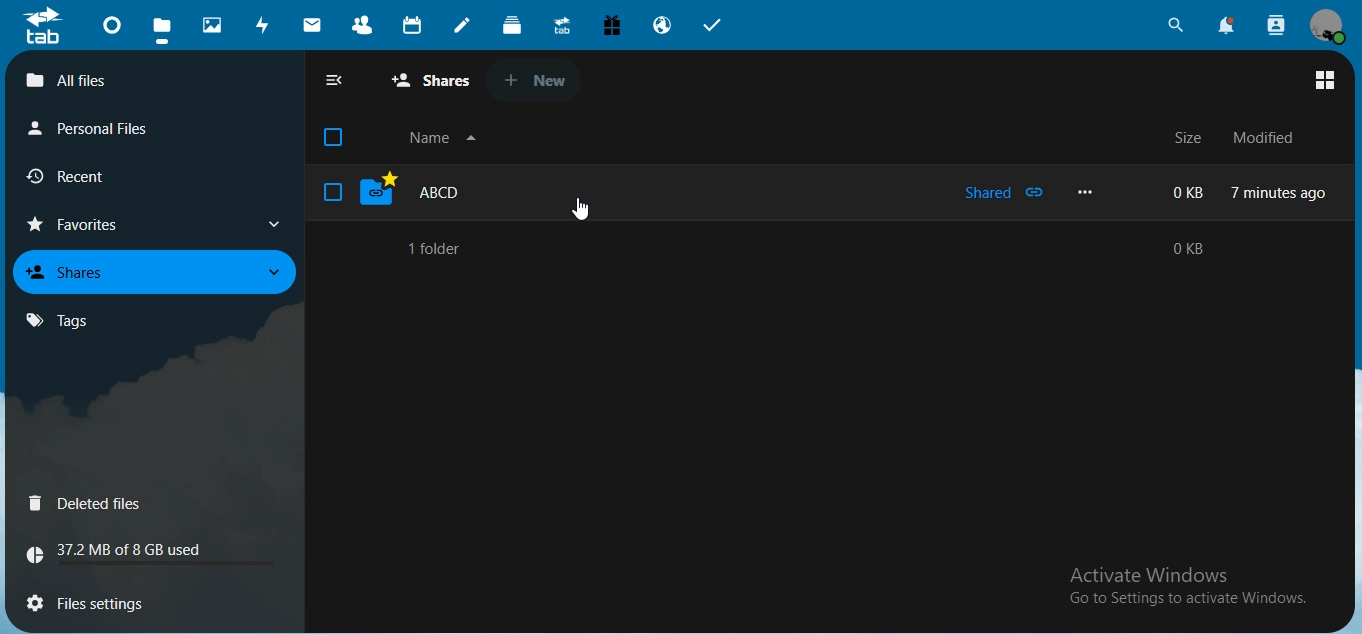 This screenshot has width=1362, height=634. Describe the element at coordinates (1184, 587) in the screenshot. I see `text` at that location.